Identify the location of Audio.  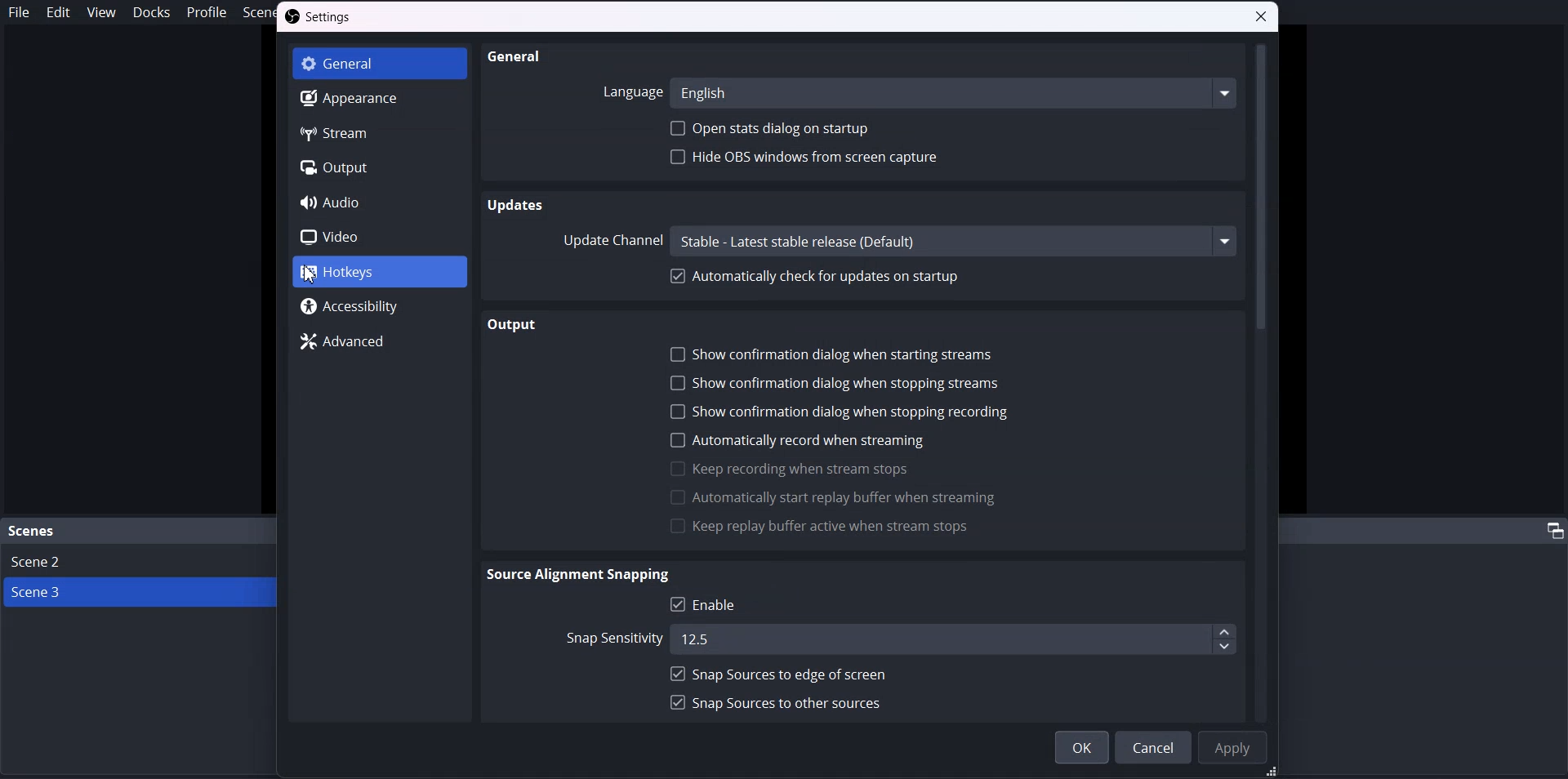
(379, 202).